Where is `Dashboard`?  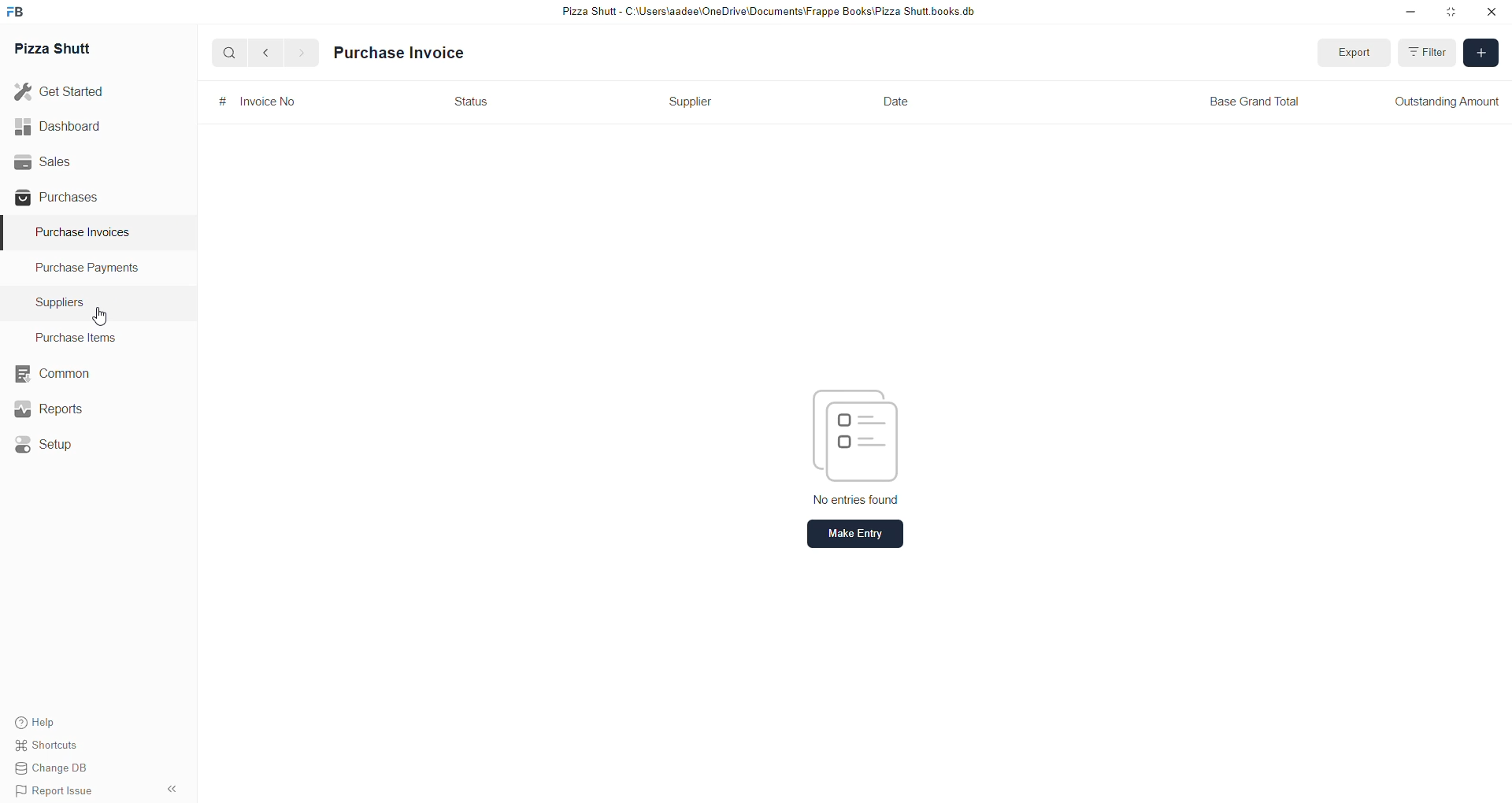
Dashboard is located at coordinates (76, 127).